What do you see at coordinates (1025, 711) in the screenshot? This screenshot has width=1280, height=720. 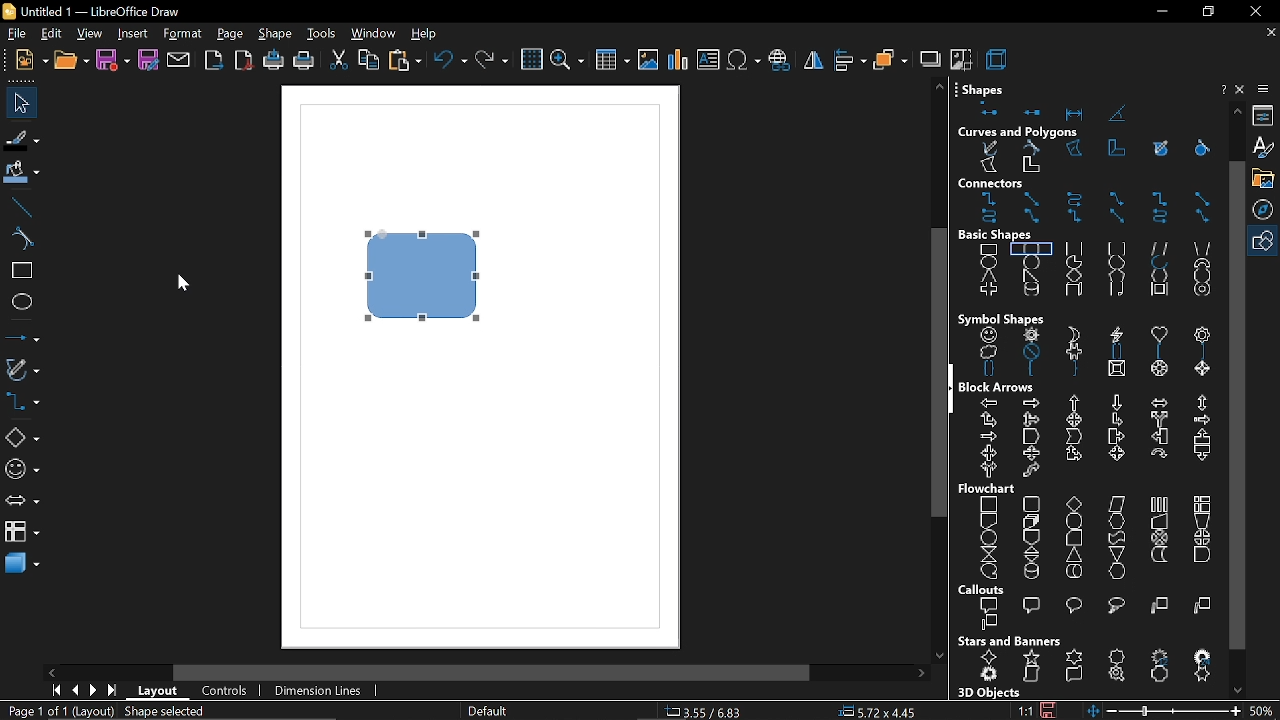 I see `scaling factor` at bounding box center [1025, 711].